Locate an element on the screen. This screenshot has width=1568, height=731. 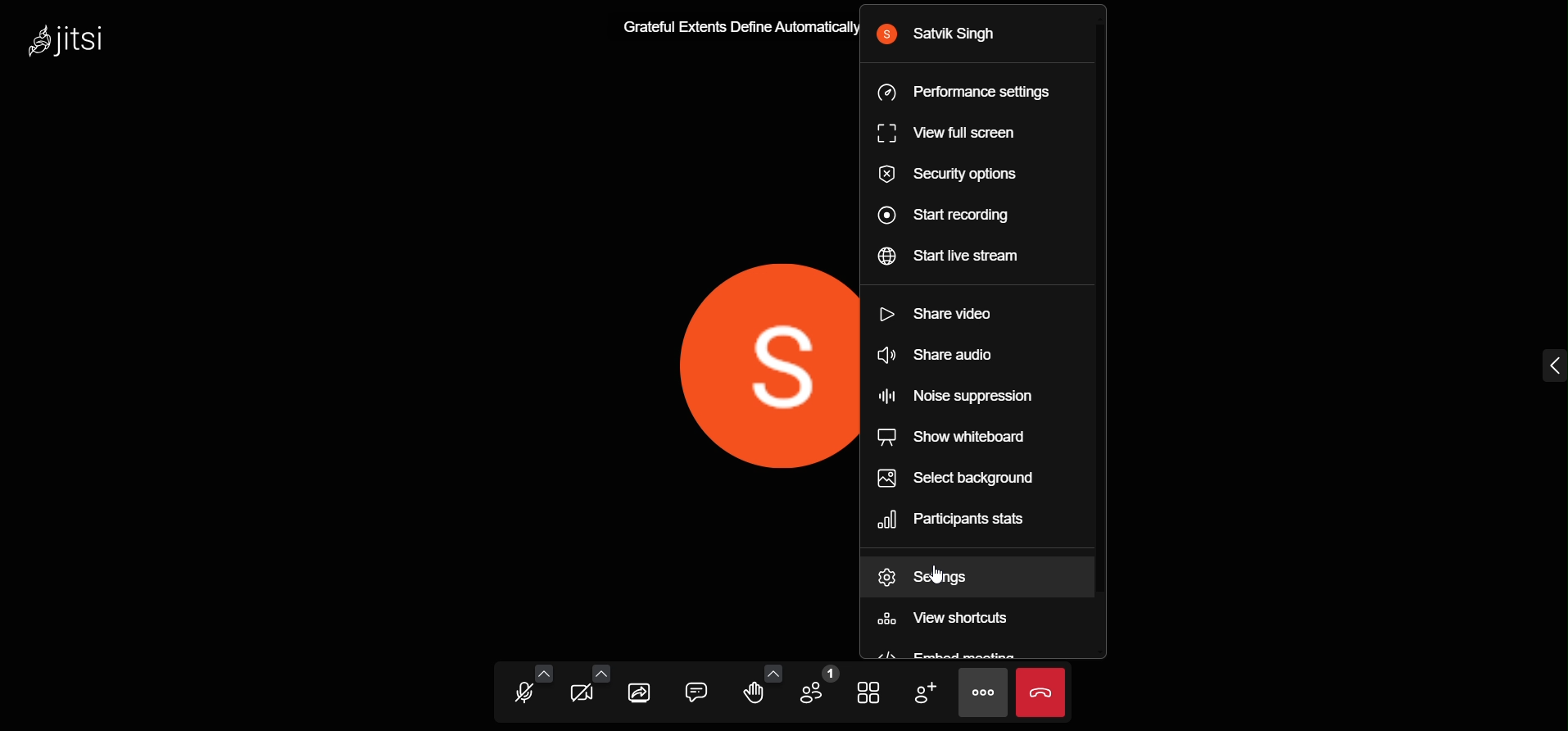
video setting is located at coordinates (600, 673).